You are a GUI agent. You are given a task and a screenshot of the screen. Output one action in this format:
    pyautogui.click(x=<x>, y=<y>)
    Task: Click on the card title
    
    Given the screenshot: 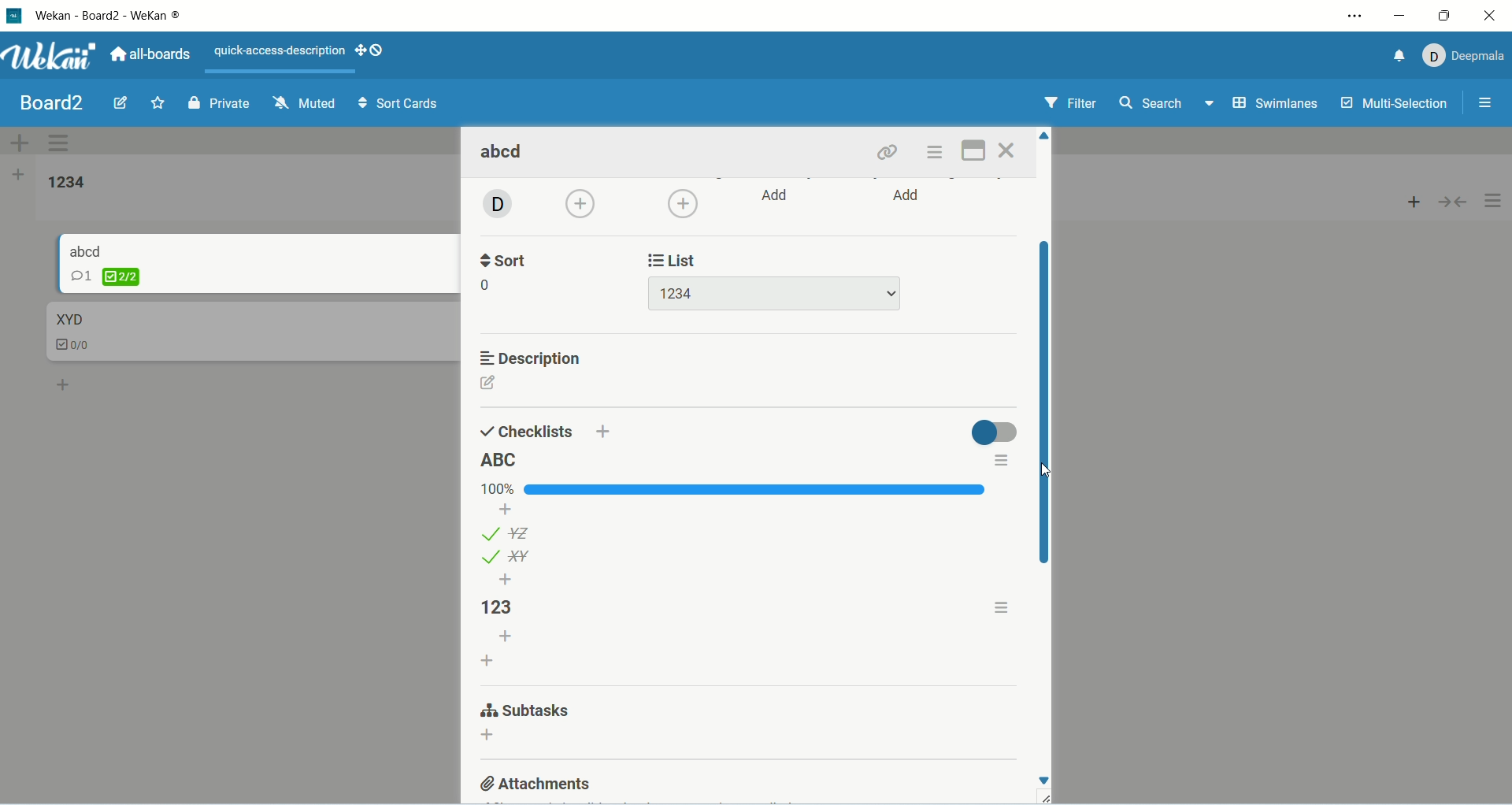 What is the action you would take?
    pyautogui.click(x=505, y=154)
    